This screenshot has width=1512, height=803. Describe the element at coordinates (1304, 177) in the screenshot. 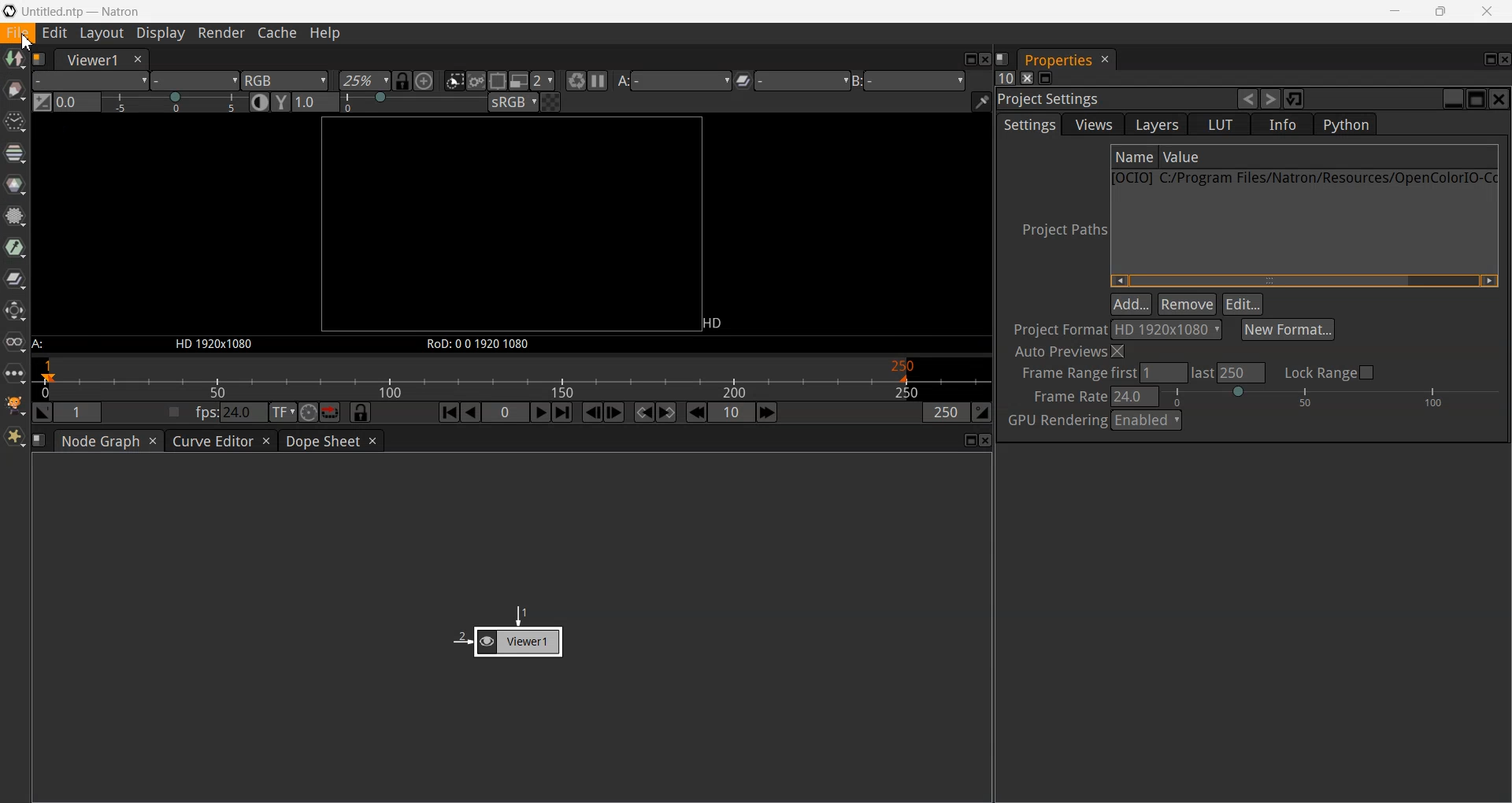

I see `File name with path address` at that location.